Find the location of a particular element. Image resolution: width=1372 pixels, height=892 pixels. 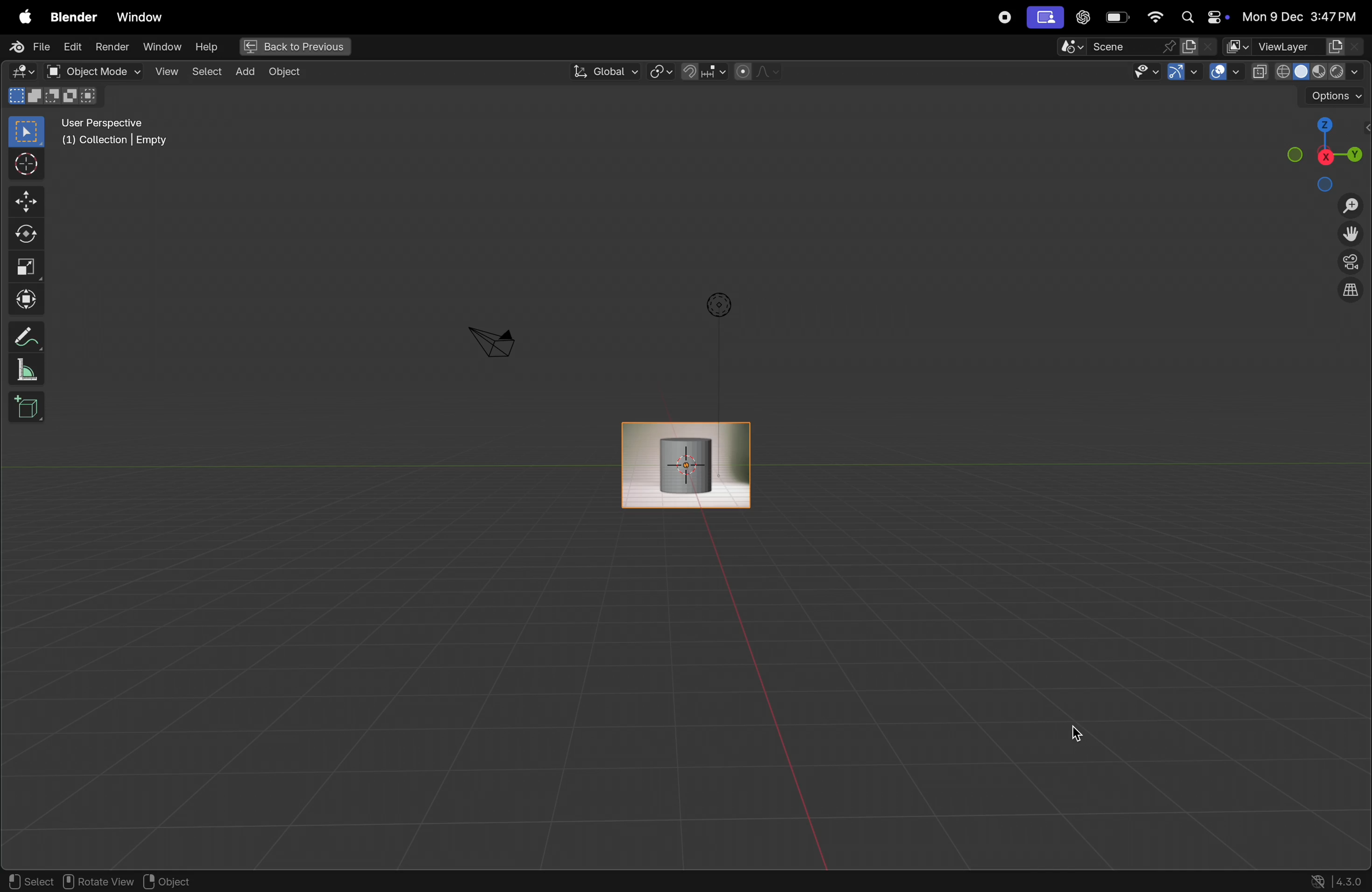

select point is located at coordinates (26, 131).